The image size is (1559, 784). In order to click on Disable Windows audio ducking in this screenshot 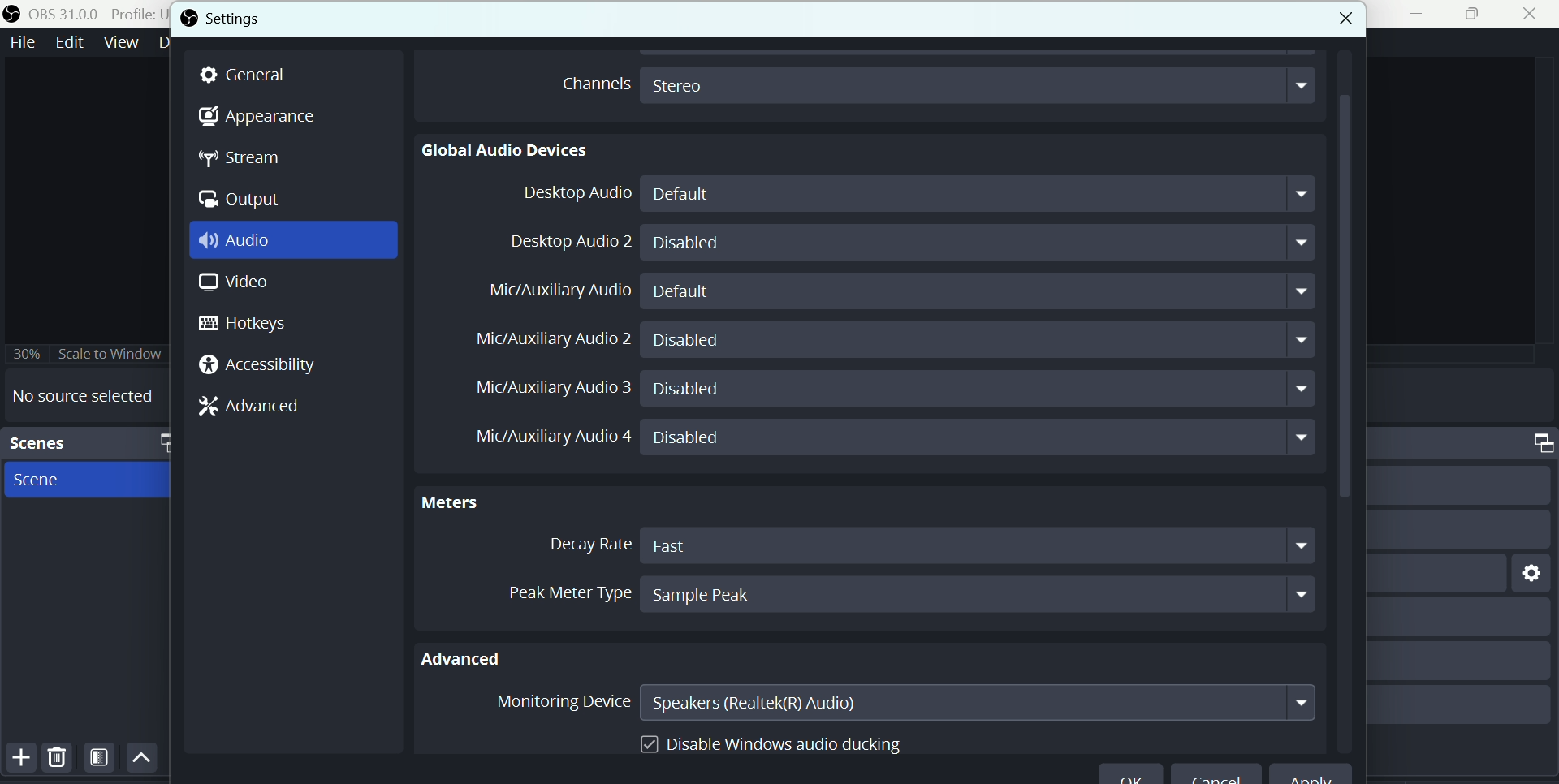, I will do `click(774, 740)`.